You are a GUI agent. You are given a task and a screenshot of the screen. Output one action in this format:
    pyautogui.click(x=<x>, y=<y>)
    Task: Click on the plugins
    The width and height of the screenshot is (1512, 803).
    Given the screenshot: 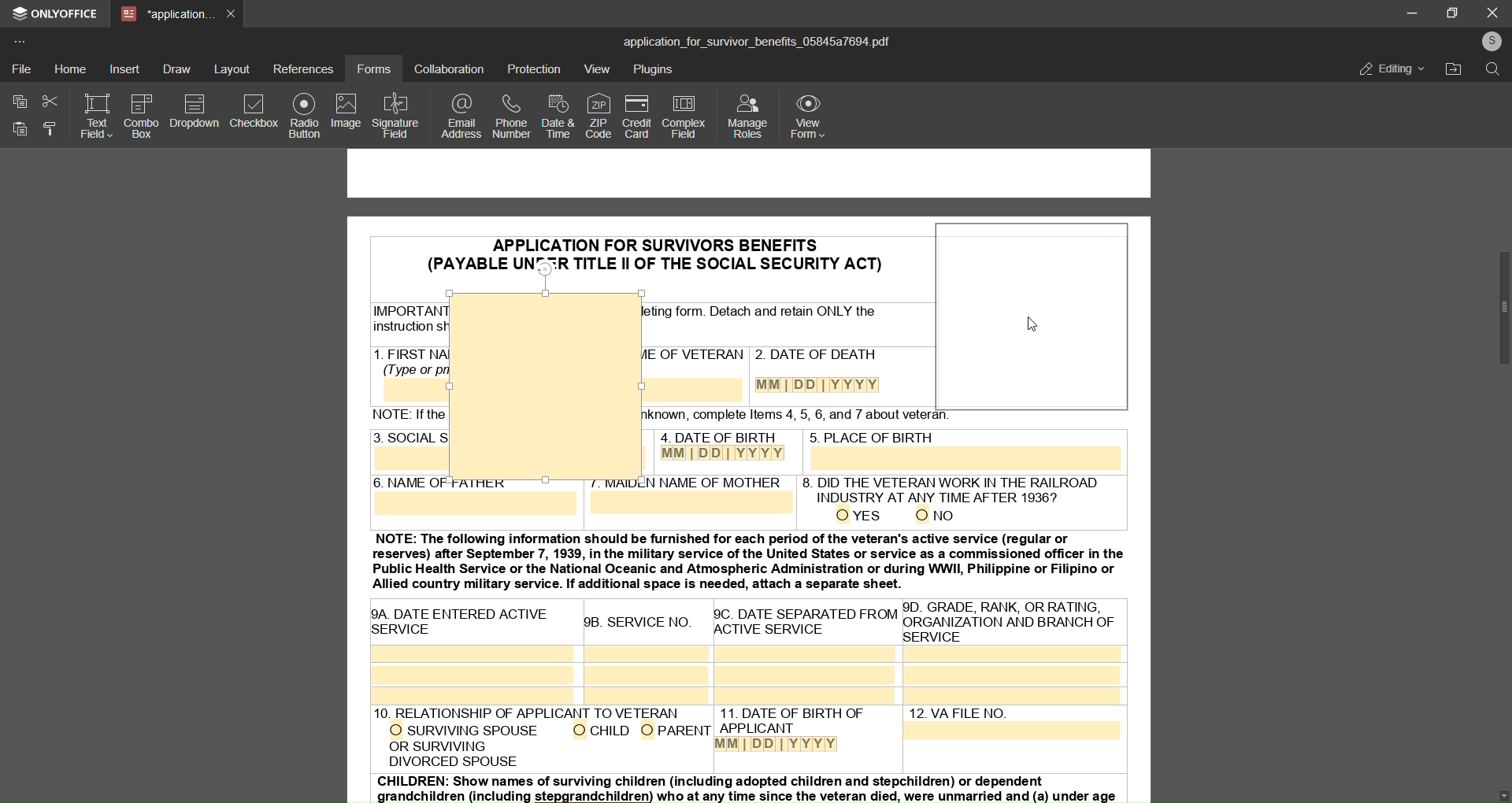 What is the action you would take?
    pyautogui.click(x=655, y=71)
    